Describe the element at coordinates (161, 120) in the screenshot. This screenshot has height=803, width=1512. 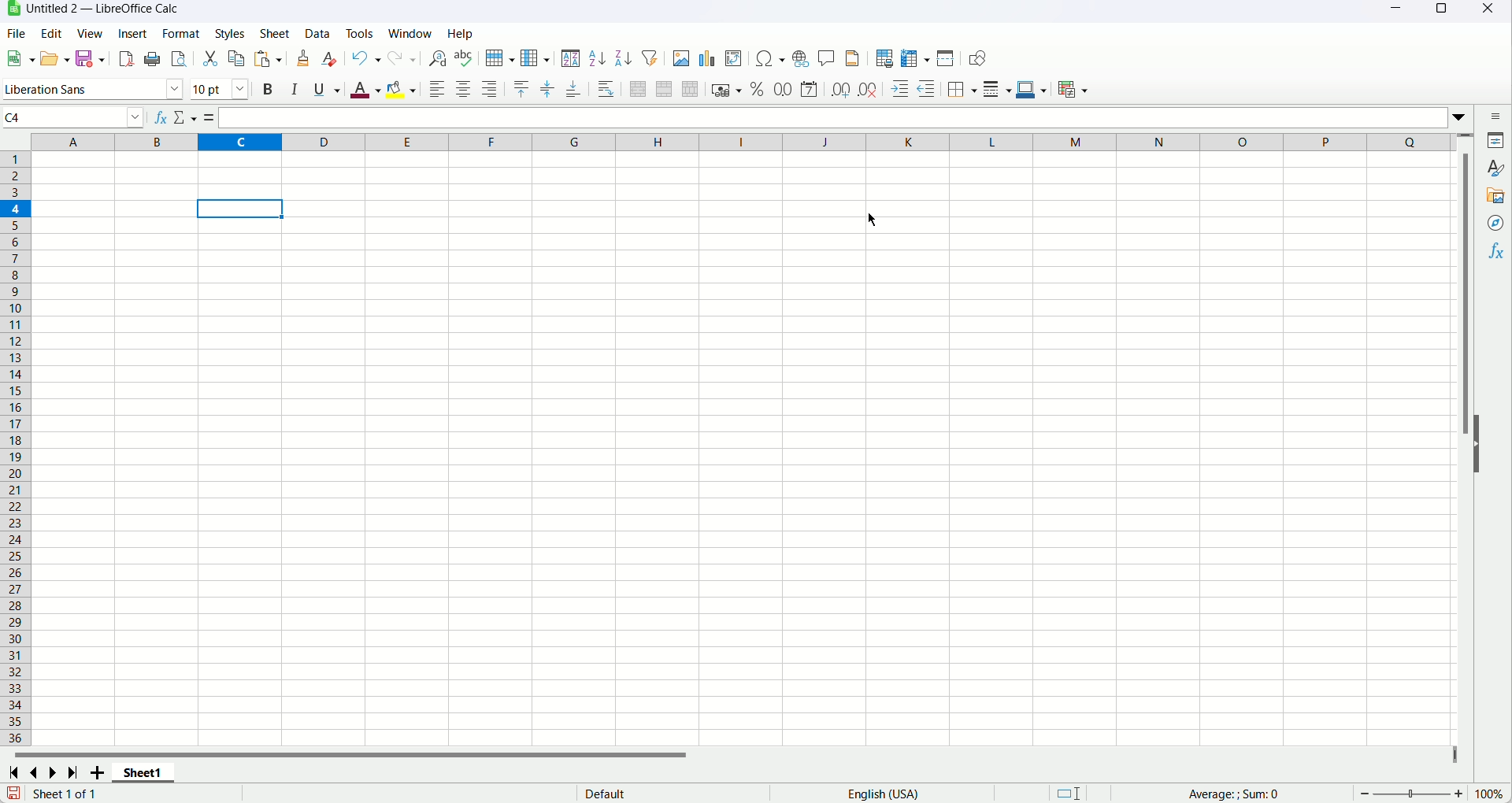
I see `Function wizard` at that location.